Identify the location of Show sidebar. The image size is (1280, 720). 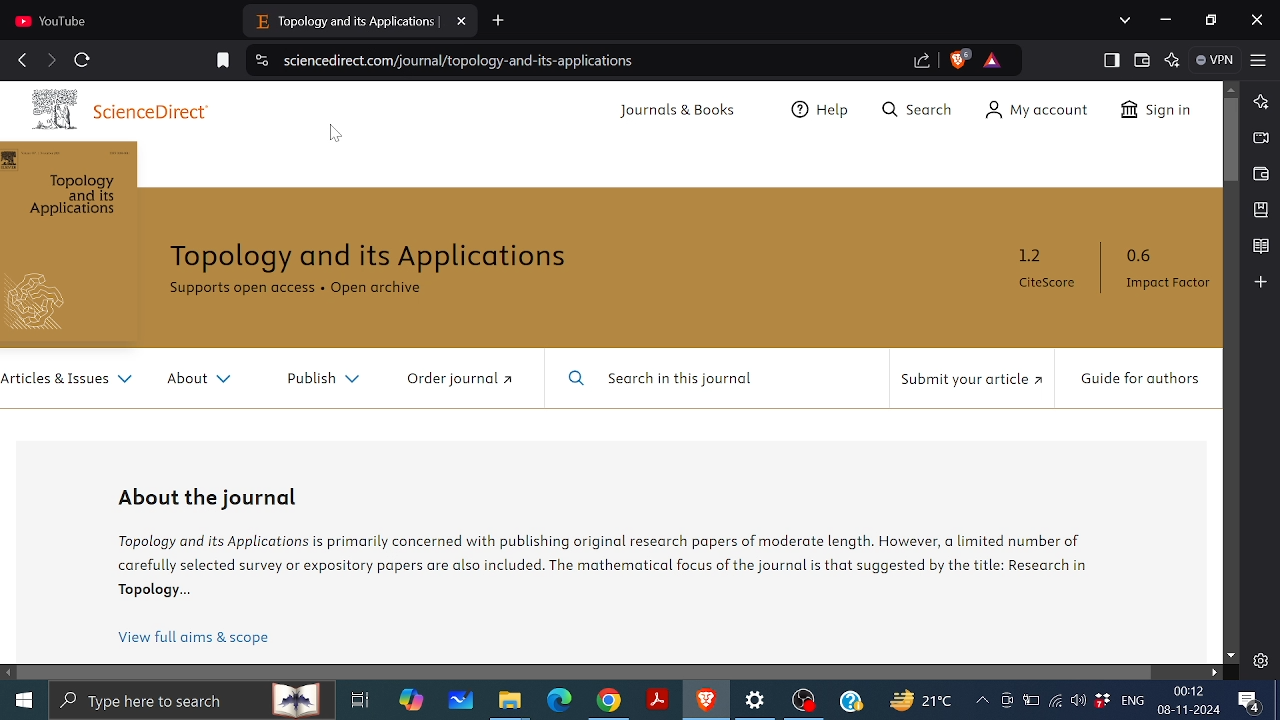
(1112, 60).